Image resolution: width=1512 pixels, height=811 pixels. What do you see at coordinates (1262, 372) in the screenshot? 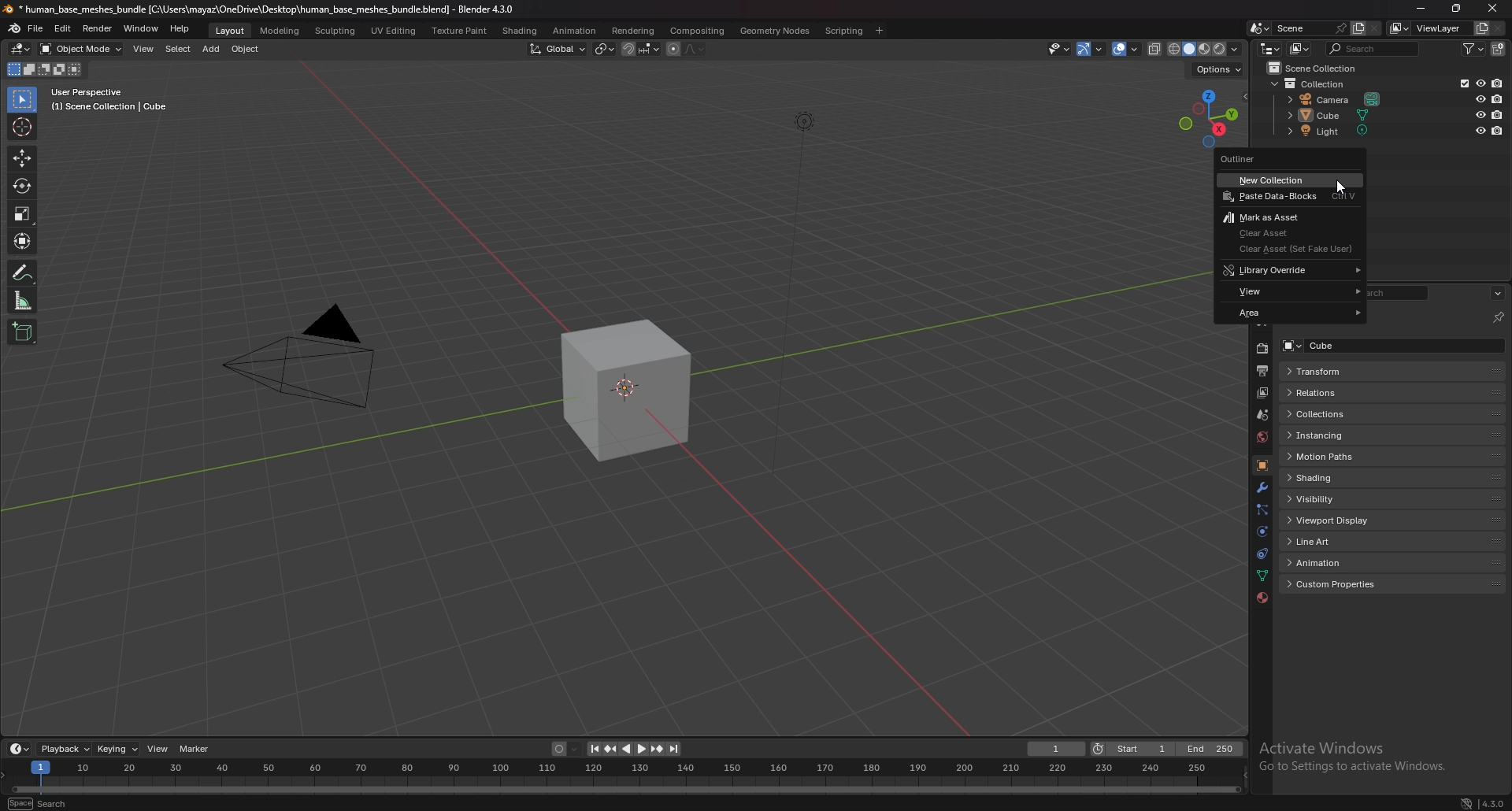
I see `output` at bounding box center [1262, 372].